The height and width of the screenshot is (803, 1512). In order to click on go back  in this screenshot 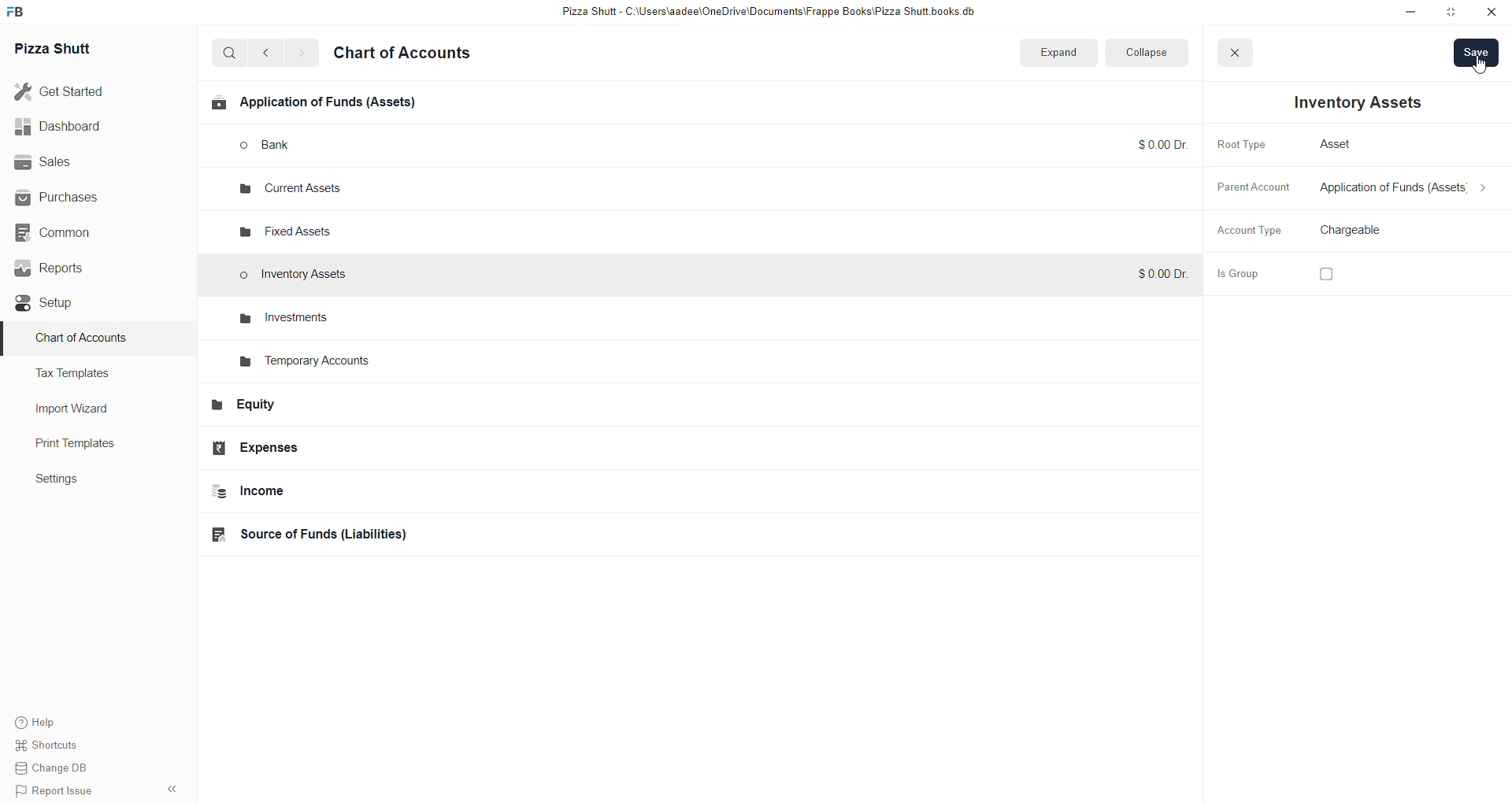, I will do `click(269, 53)`.